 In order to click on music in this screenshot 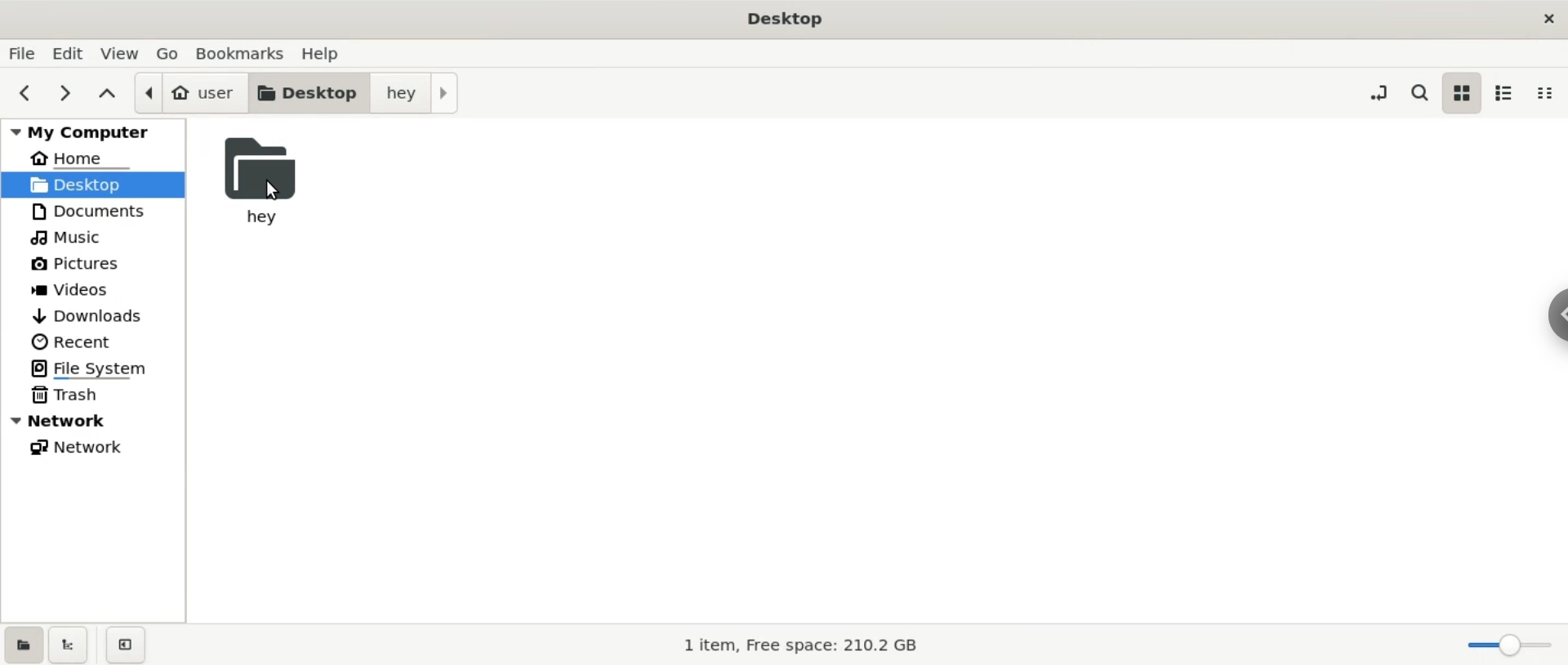, I will do `click(99, 235)`.